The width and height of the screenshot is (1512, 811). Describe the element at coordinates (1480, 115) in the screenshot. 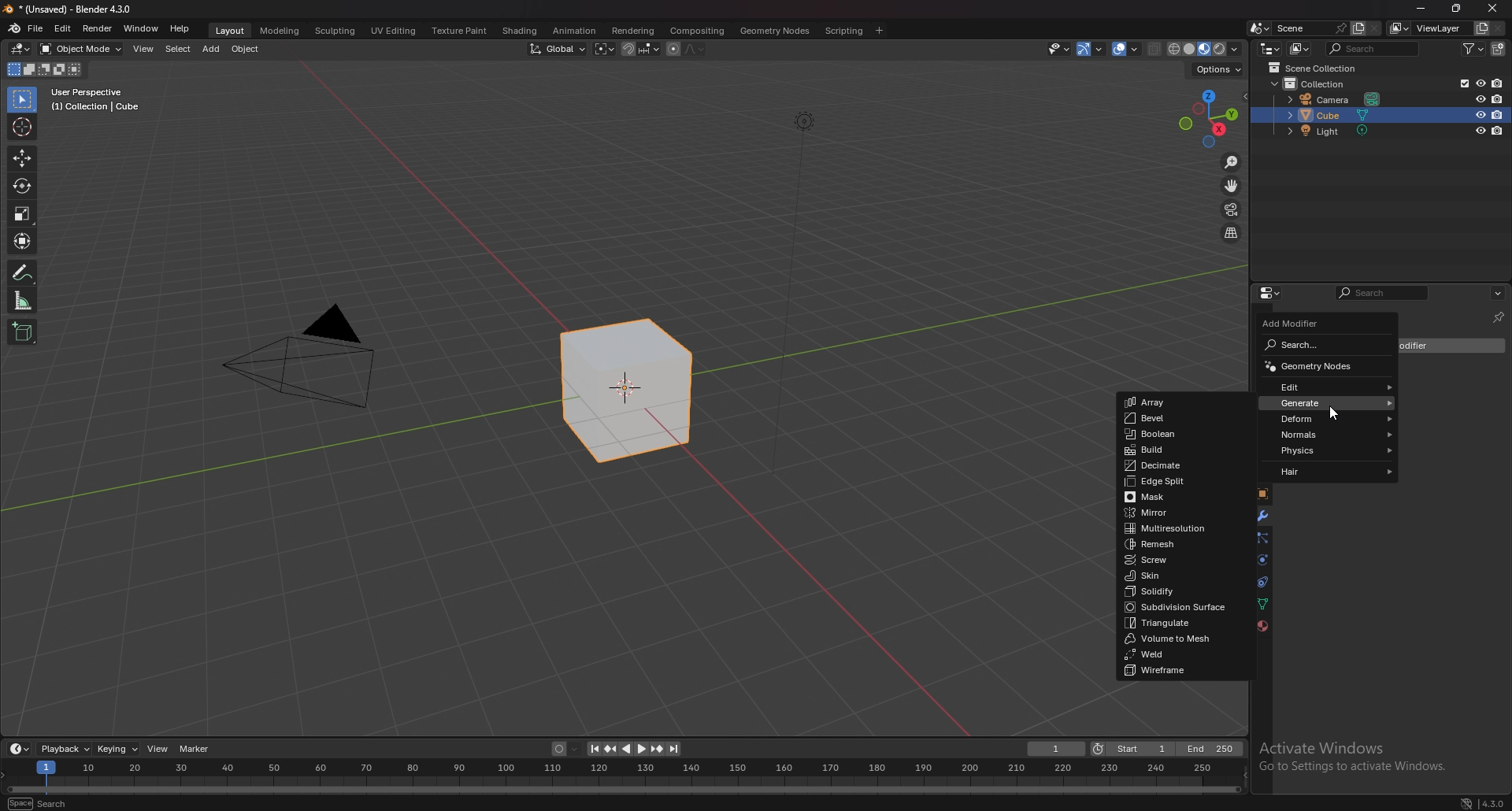

I see `hide in viewport` at that location.